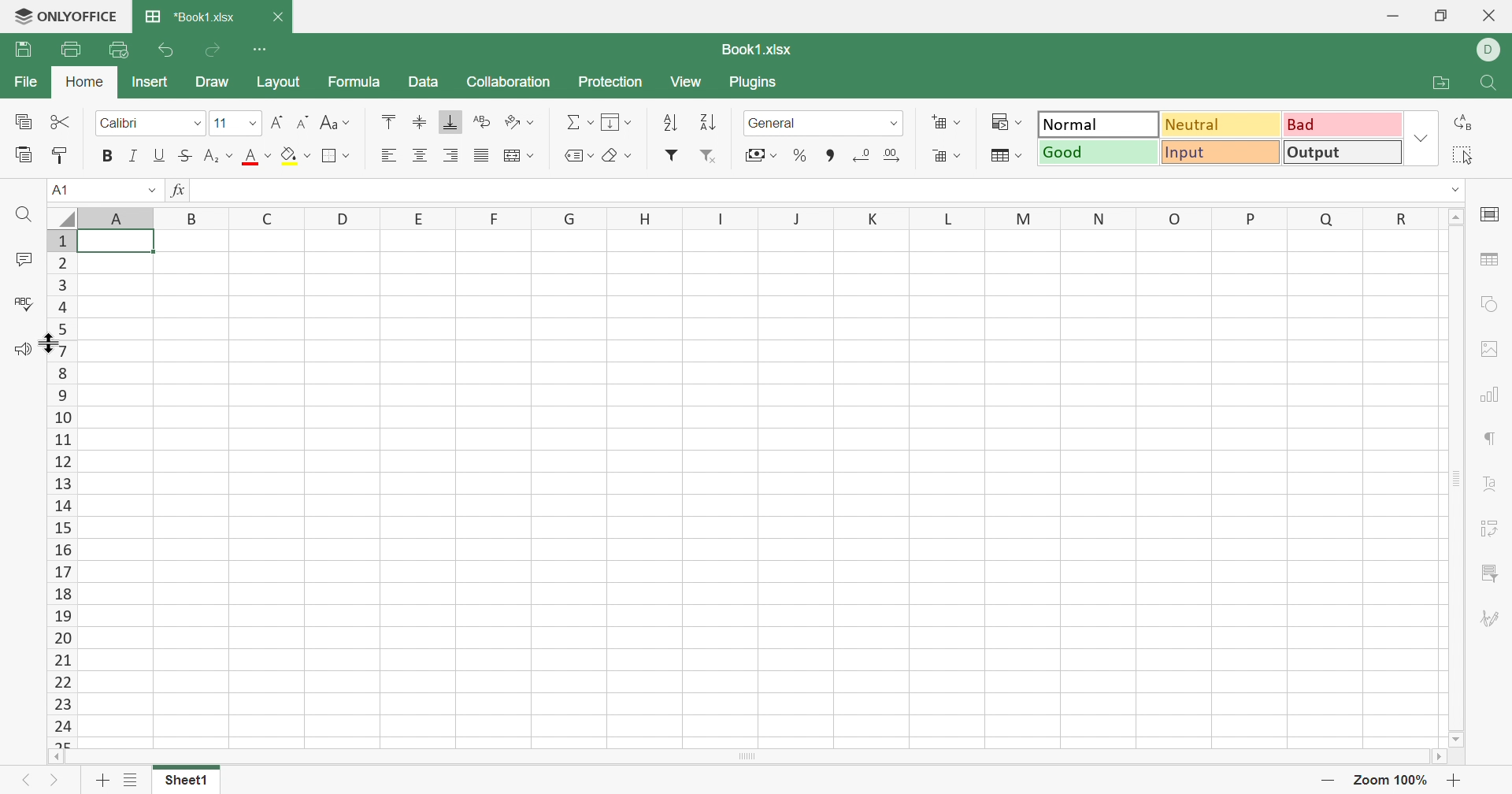 This screenshot has width=1512, height=794. What do you see at coordinates (948, 121) in the screenshot?
I see `Insert cells` at bounding box center [948, 121].